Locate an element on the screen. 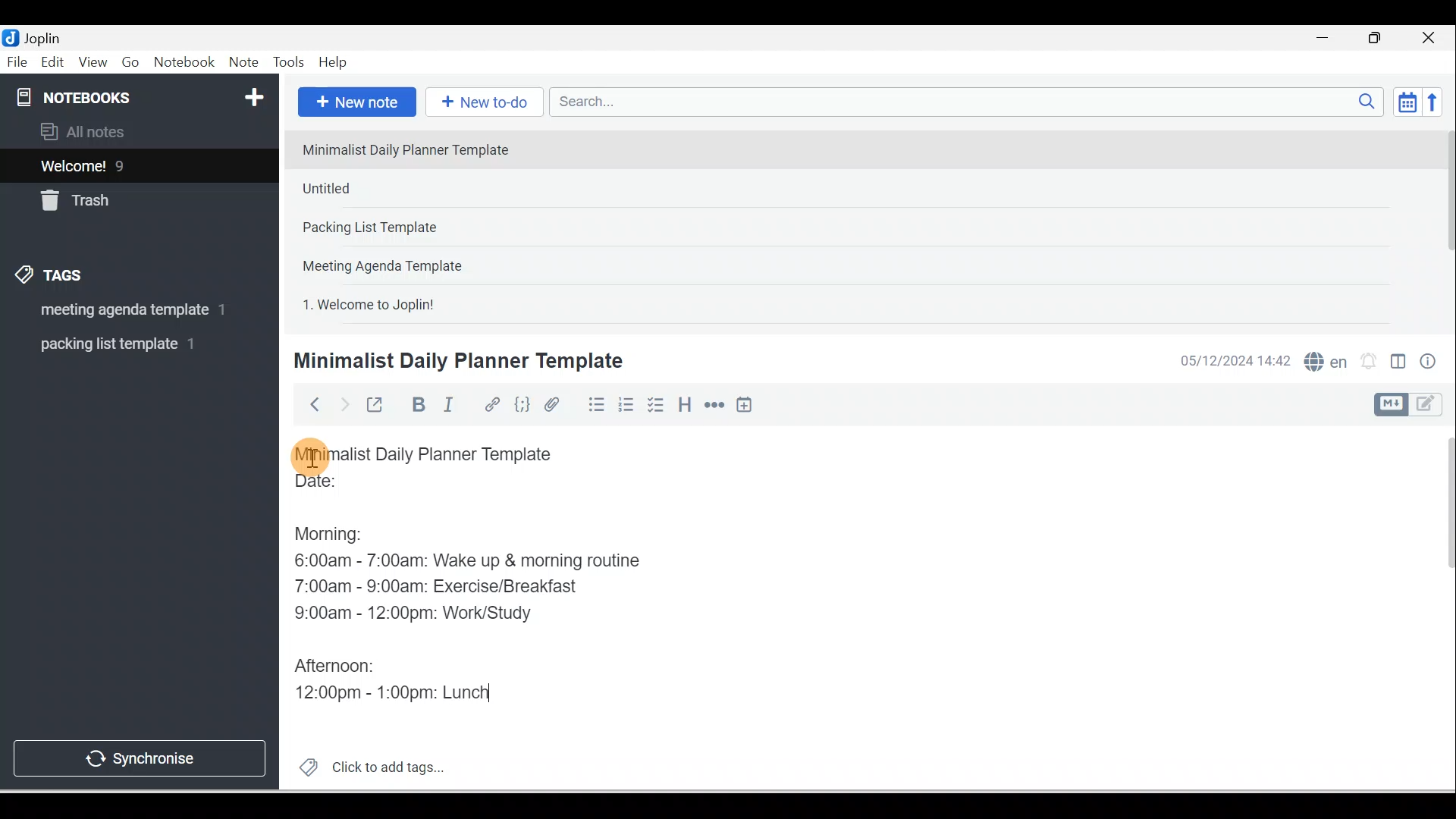 The width and height of the screenshot is (1456, 819). 9:00am - 12:00pm: Work/Study is located at coordinates (419, 613).